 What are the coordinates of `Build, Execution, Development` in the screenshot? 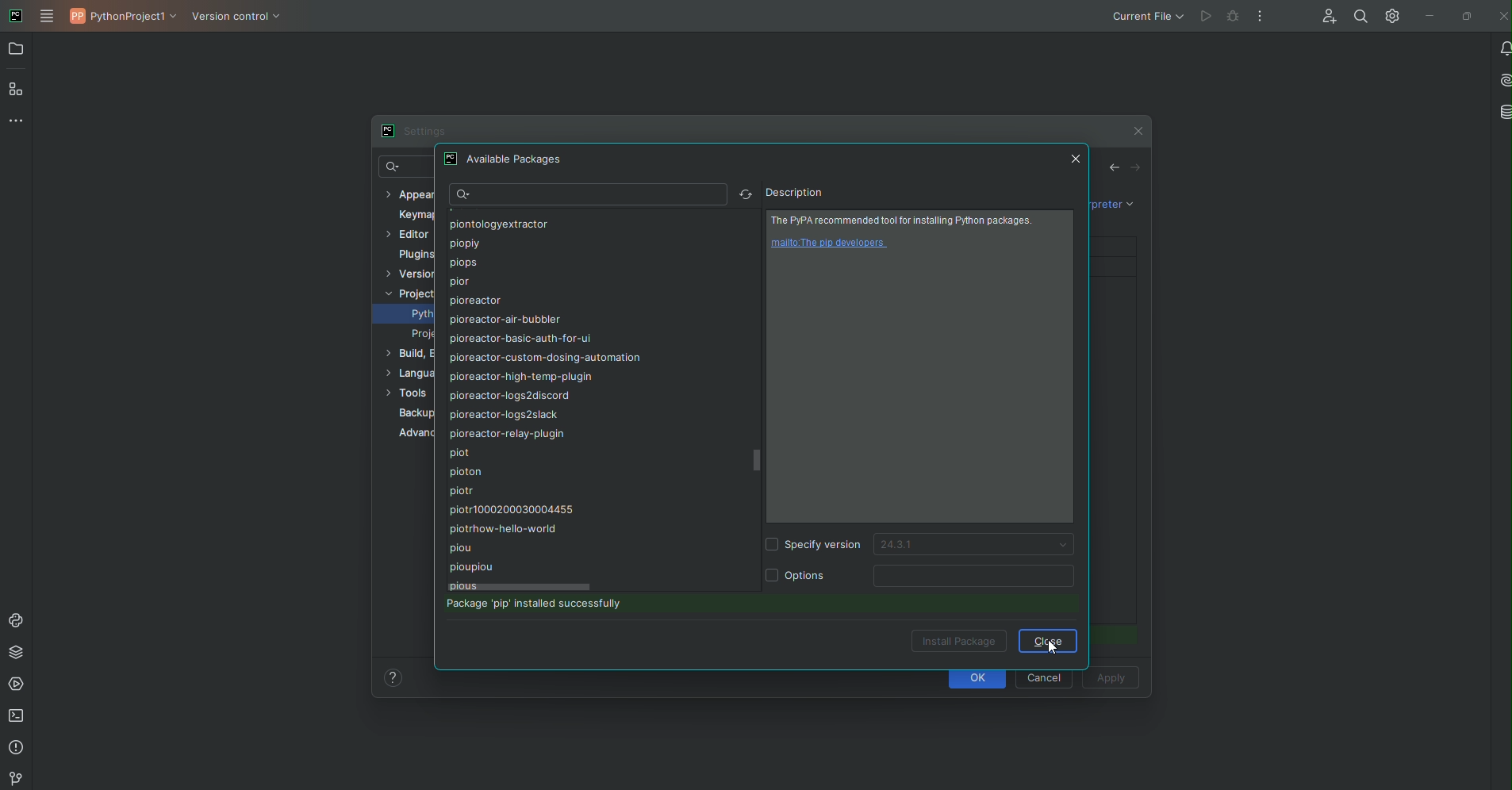 It's located at (407, 355).